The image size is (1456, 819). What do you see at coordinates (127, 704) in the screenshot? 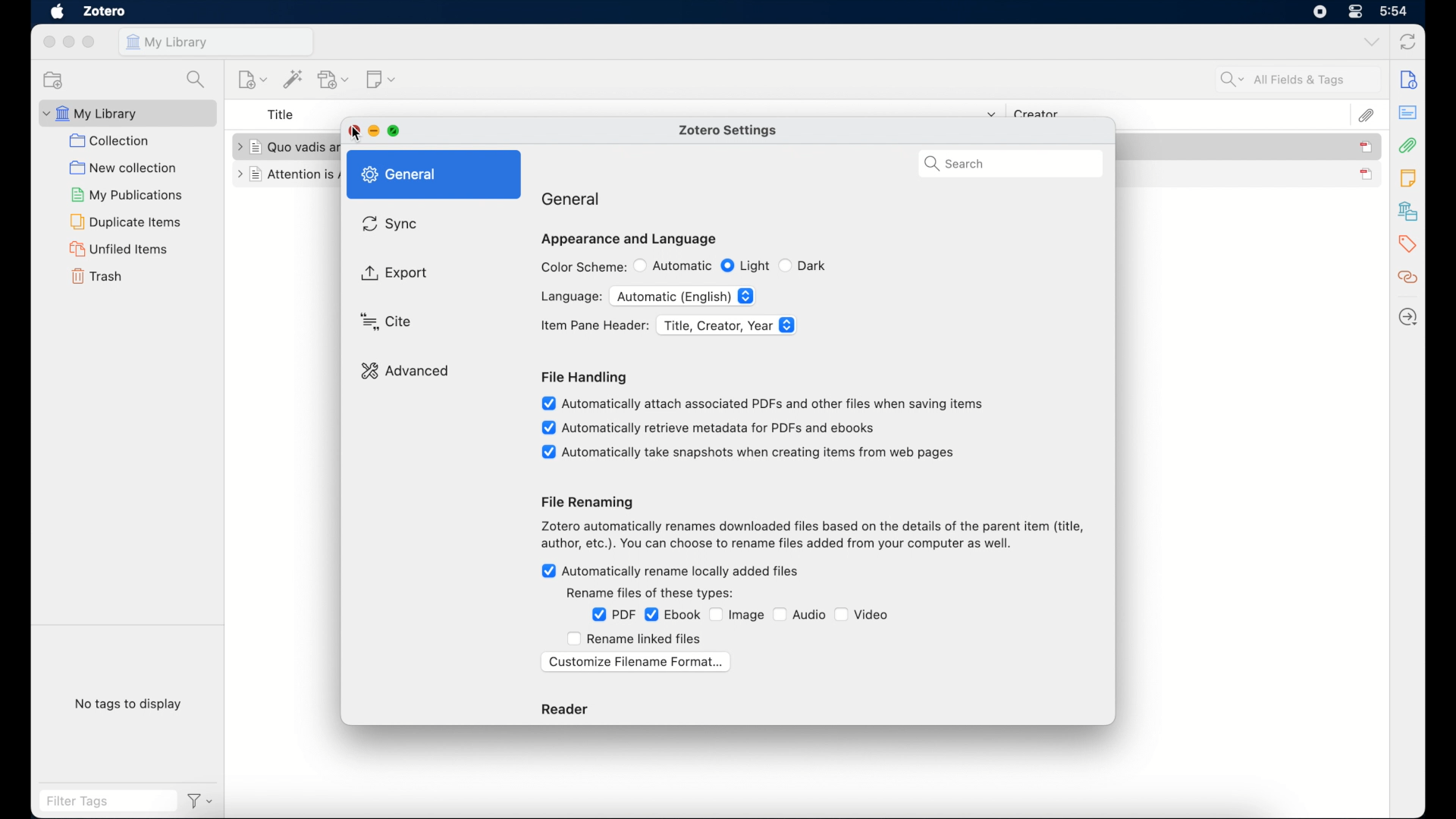
I see `no tags to display` at bounding box center [127, 704].